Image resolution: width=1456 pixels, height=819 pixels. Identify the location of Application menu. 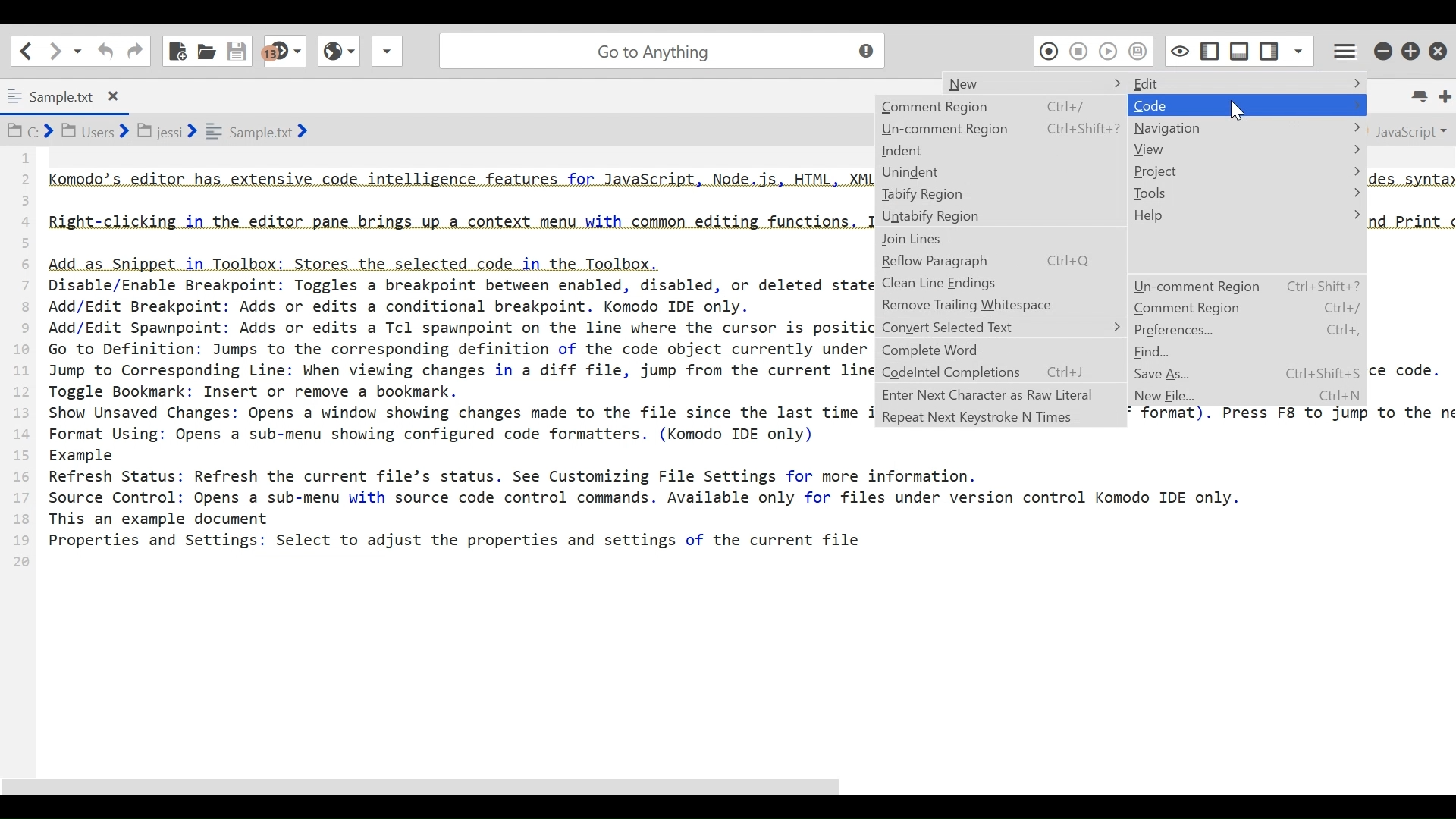
(1341, 49).